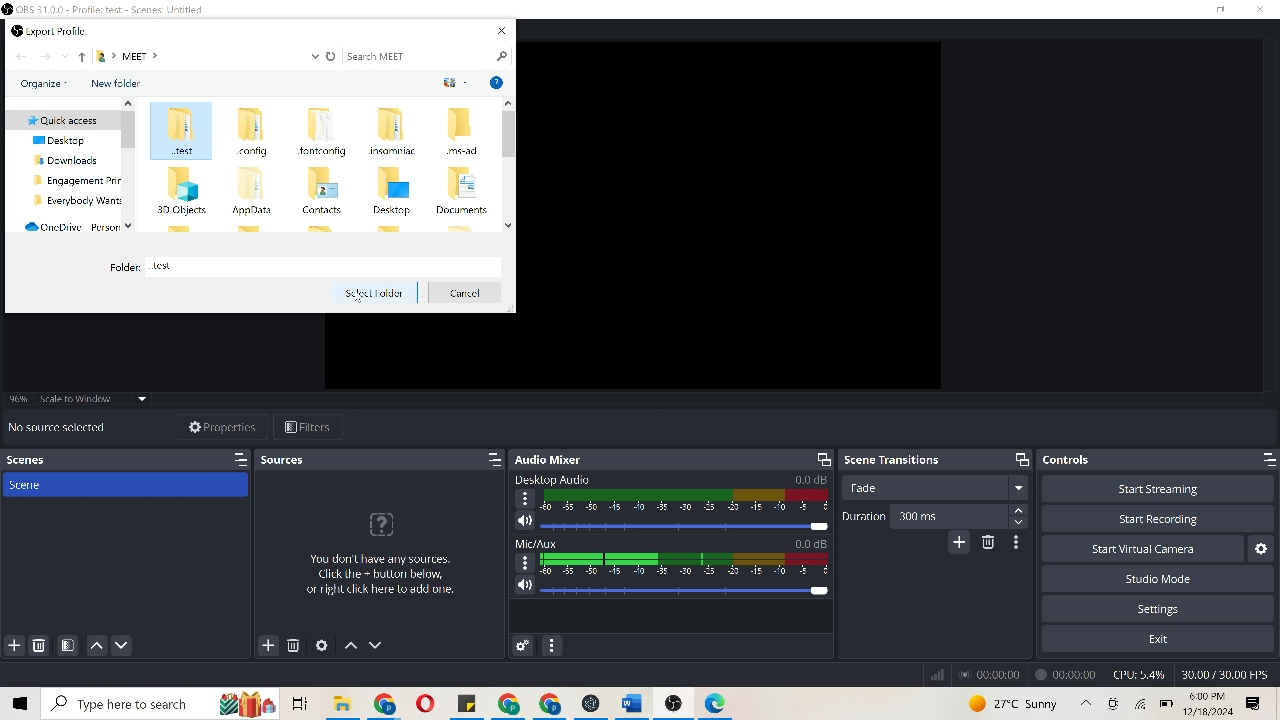  Describe the element at coordinates (687, 564) in the screenshot. I see `audio decibel scale` at that location.